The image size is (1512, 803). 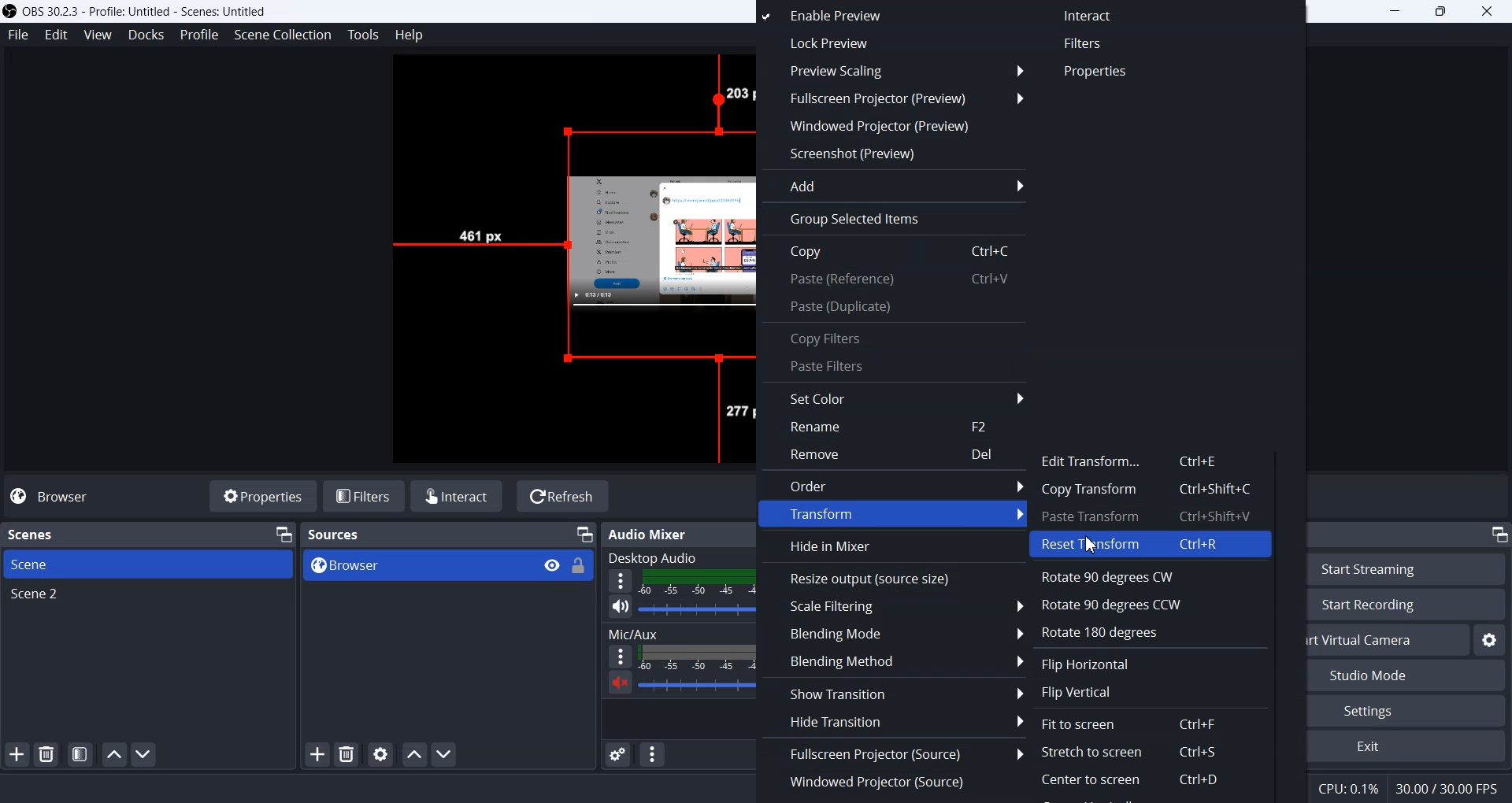 What do you see at coordinates (1399, 674) in the screenshot?
I see `Studio Mode` at bounding box center [1399, 674].